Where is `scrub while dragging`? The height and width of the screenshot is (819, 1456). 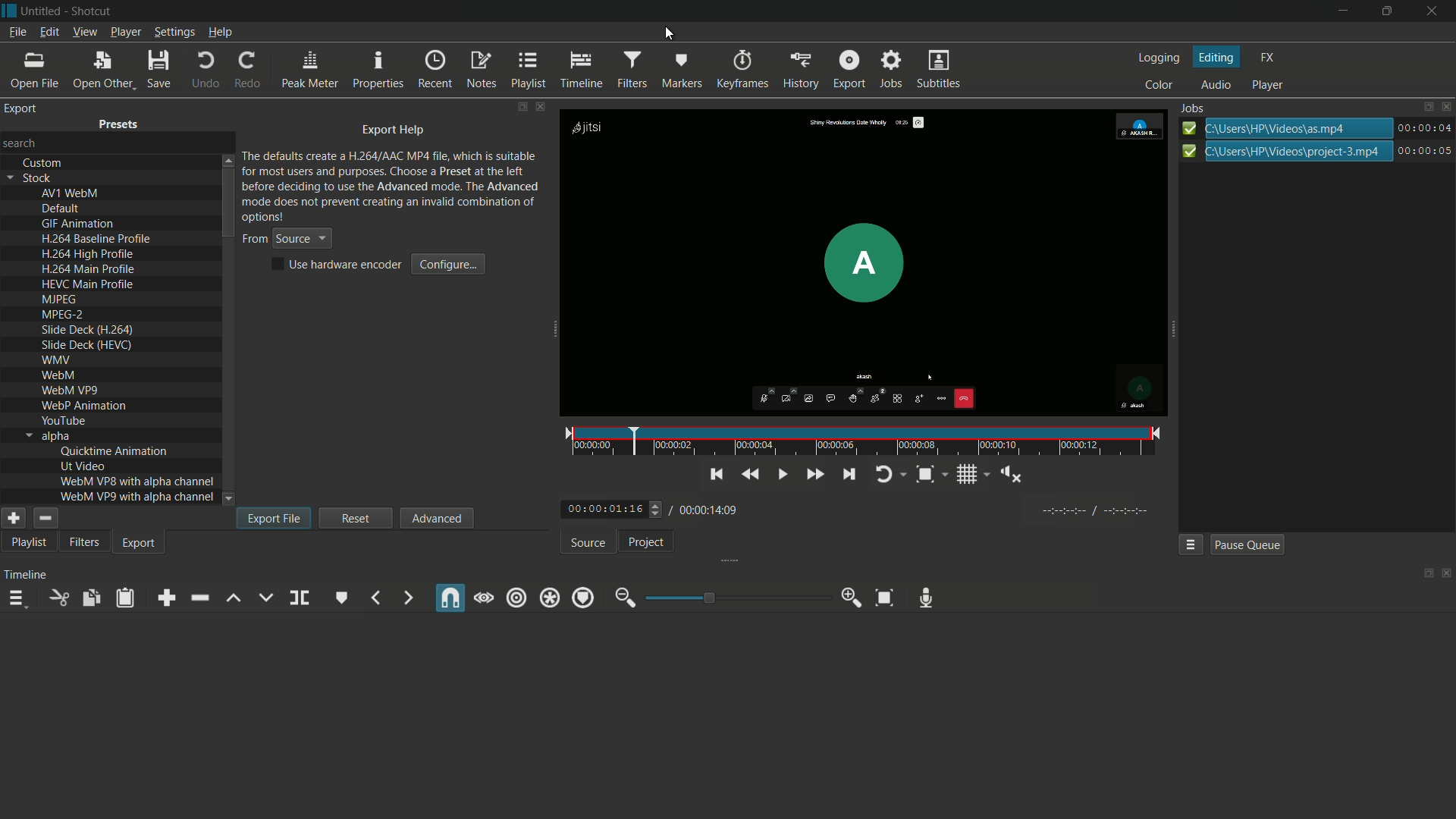
scrub while dragging is located at coordinates (483, 598).